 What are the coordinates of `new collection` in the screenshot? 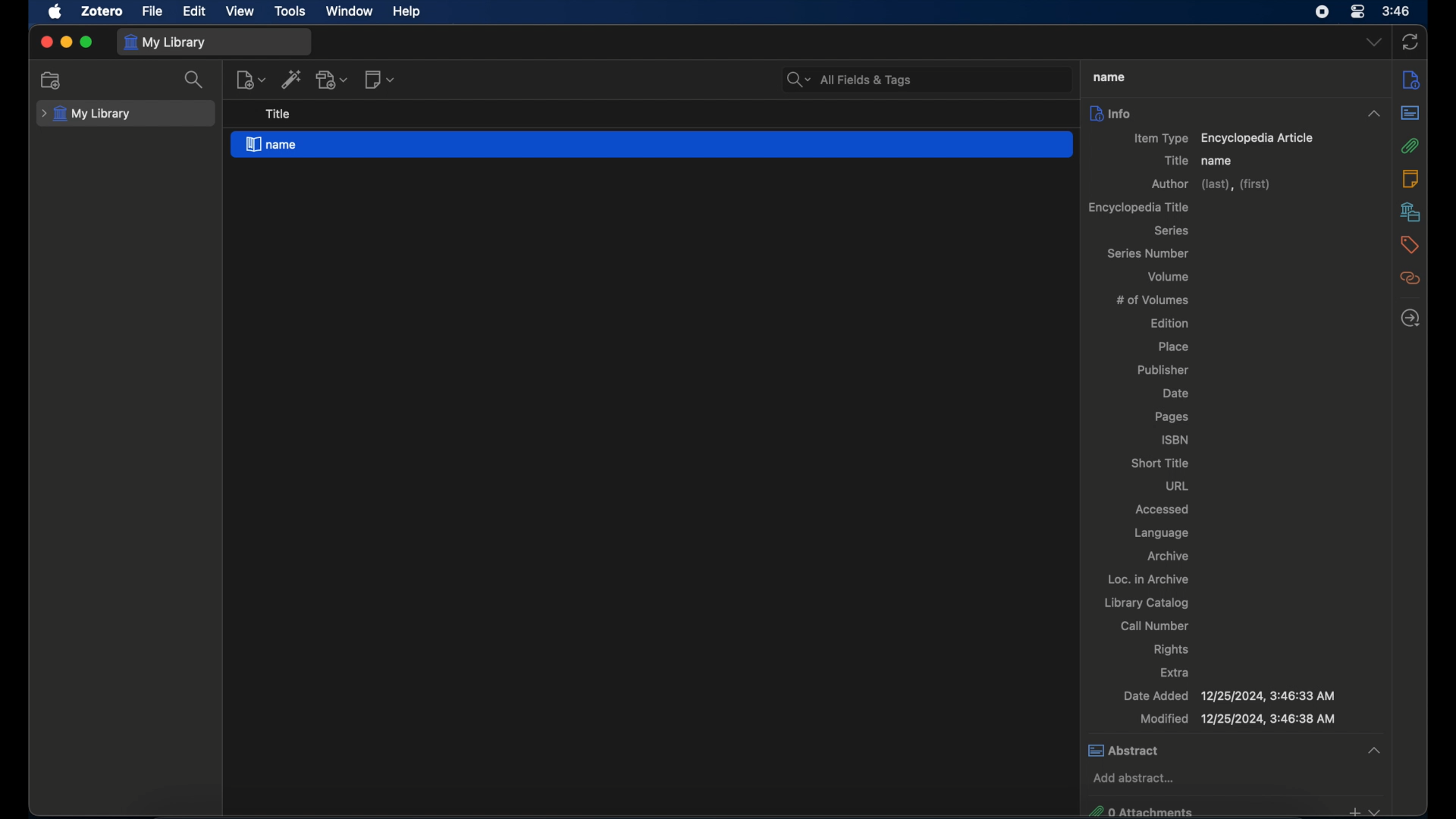 It's located at (52, 80).